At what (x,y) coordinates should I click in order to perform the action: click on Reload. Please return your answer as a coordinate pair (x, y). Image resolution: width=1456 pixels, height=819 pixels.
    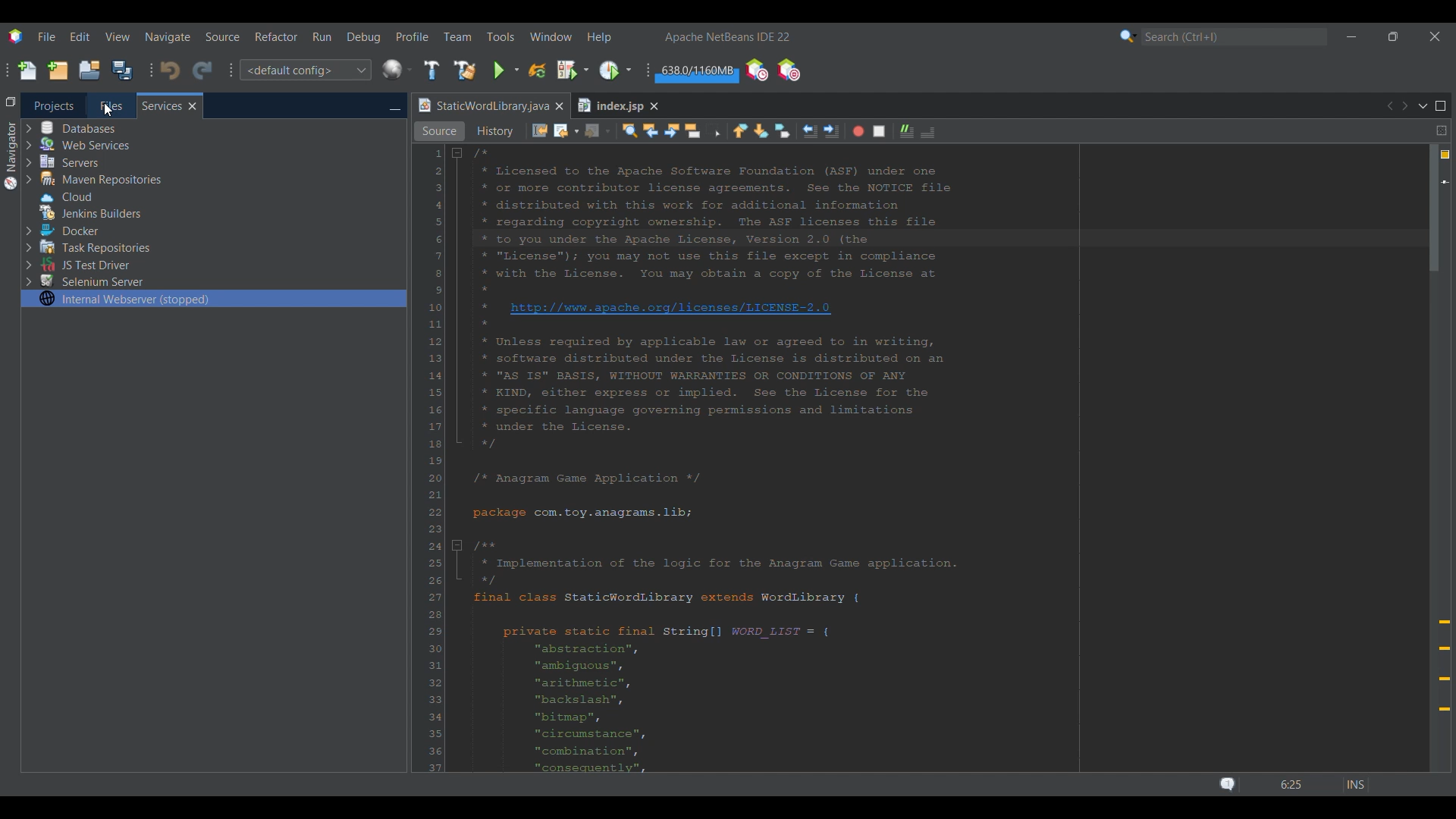
    Looking at the image, I should click on (538, 71).